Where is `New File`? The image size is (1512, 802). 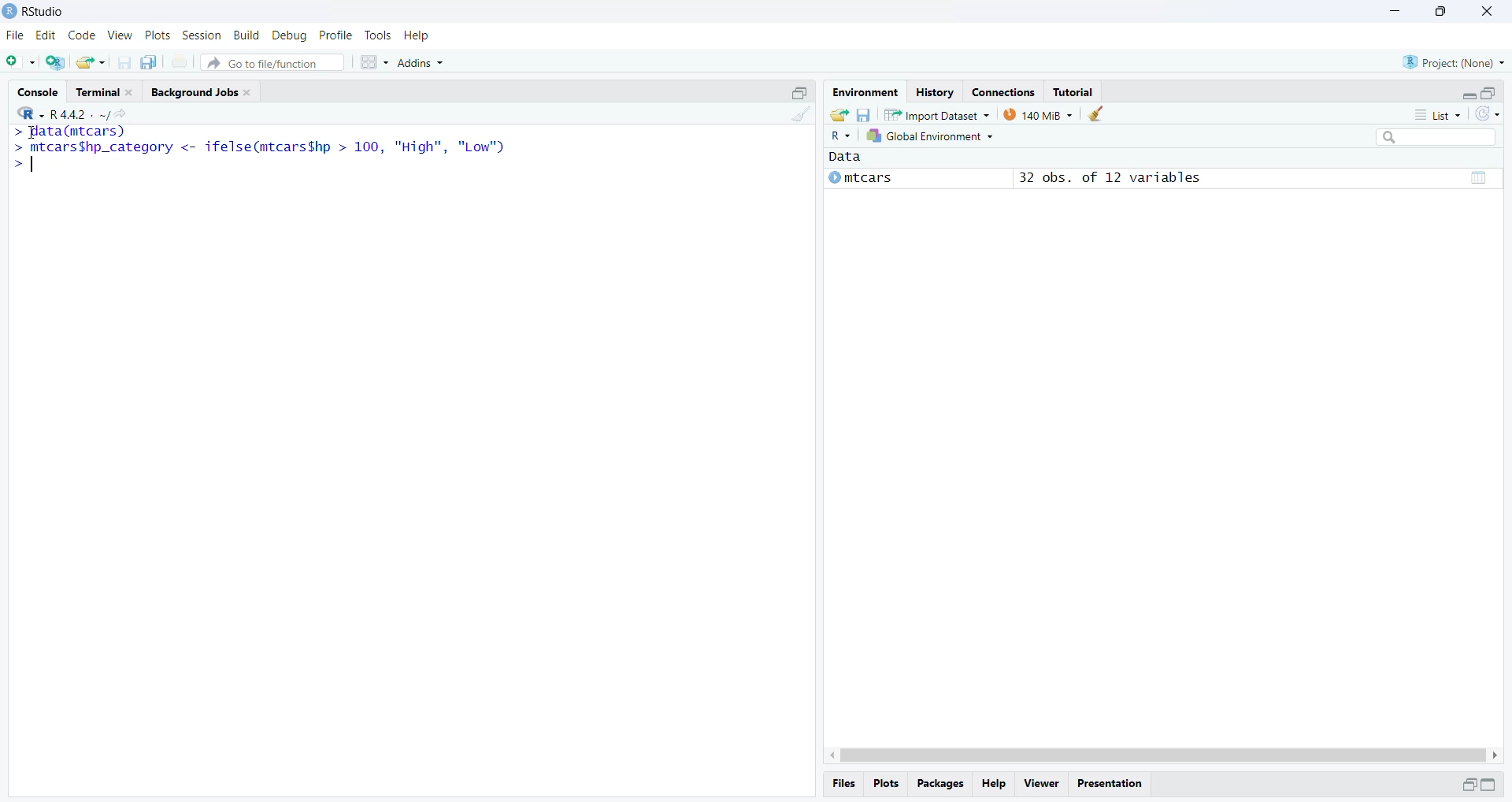 New File is located at coordinates (21, 61).